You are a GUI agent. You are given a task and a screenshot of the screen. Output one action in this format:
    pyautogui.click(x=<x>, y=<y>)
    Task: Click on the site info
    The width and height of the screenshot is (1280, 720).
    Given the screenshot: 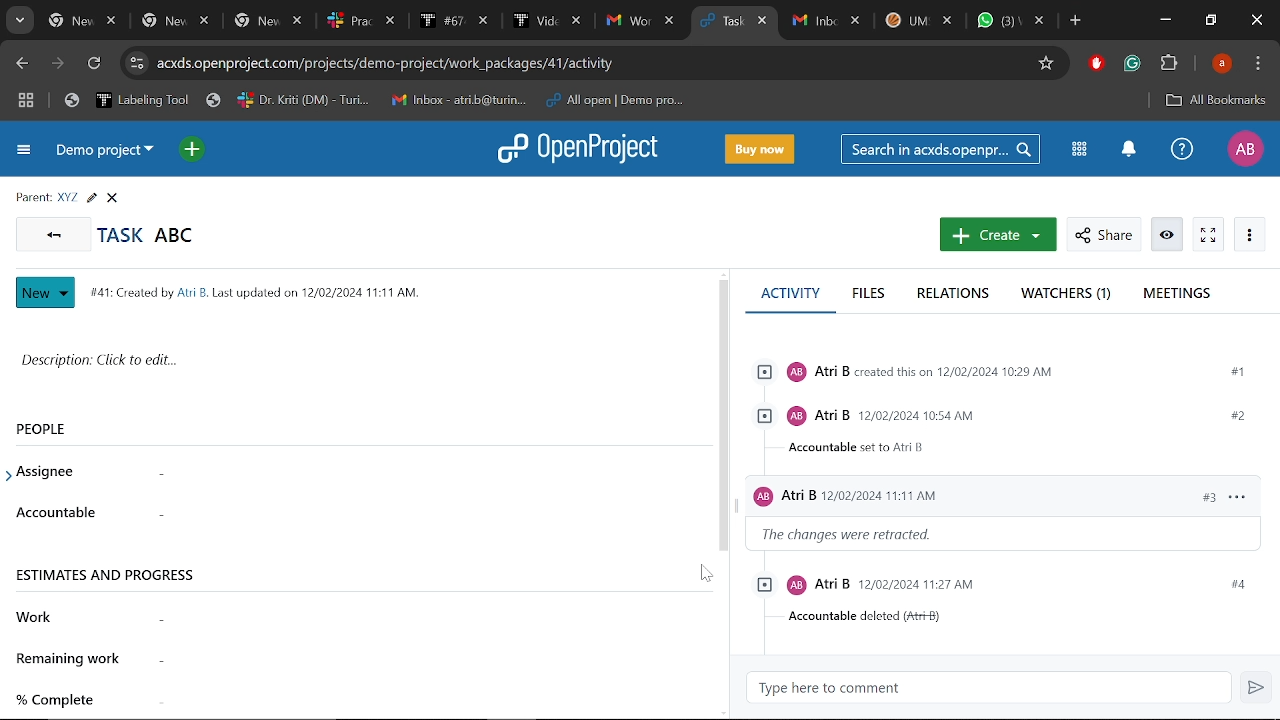 What is the action you would take?
    pyautogui.click(x=136, y=63)
    